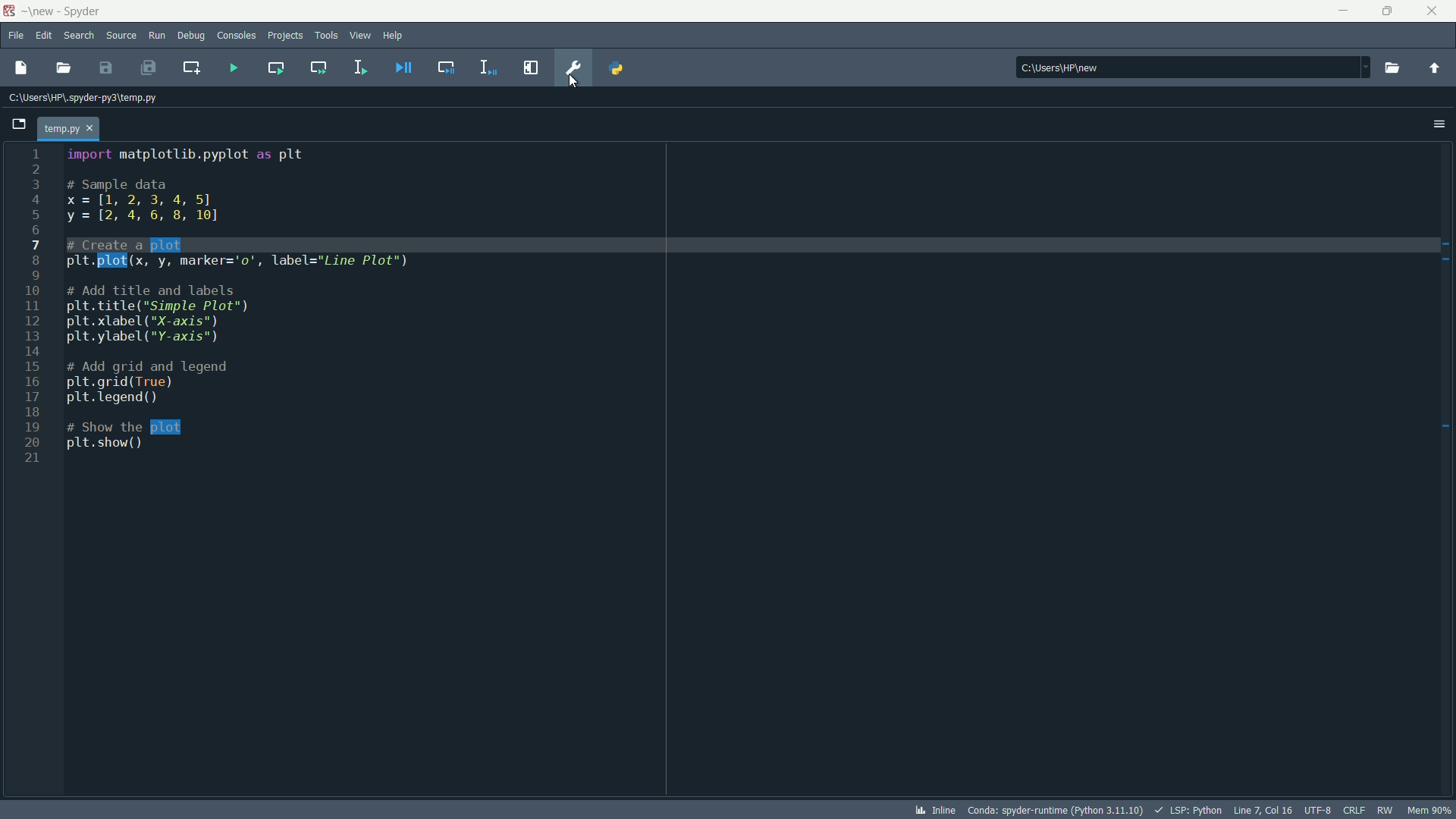  What do you see at coordinates (1439, 123) in the screenshot?
I see `options` at bounding box center [1439, 123].